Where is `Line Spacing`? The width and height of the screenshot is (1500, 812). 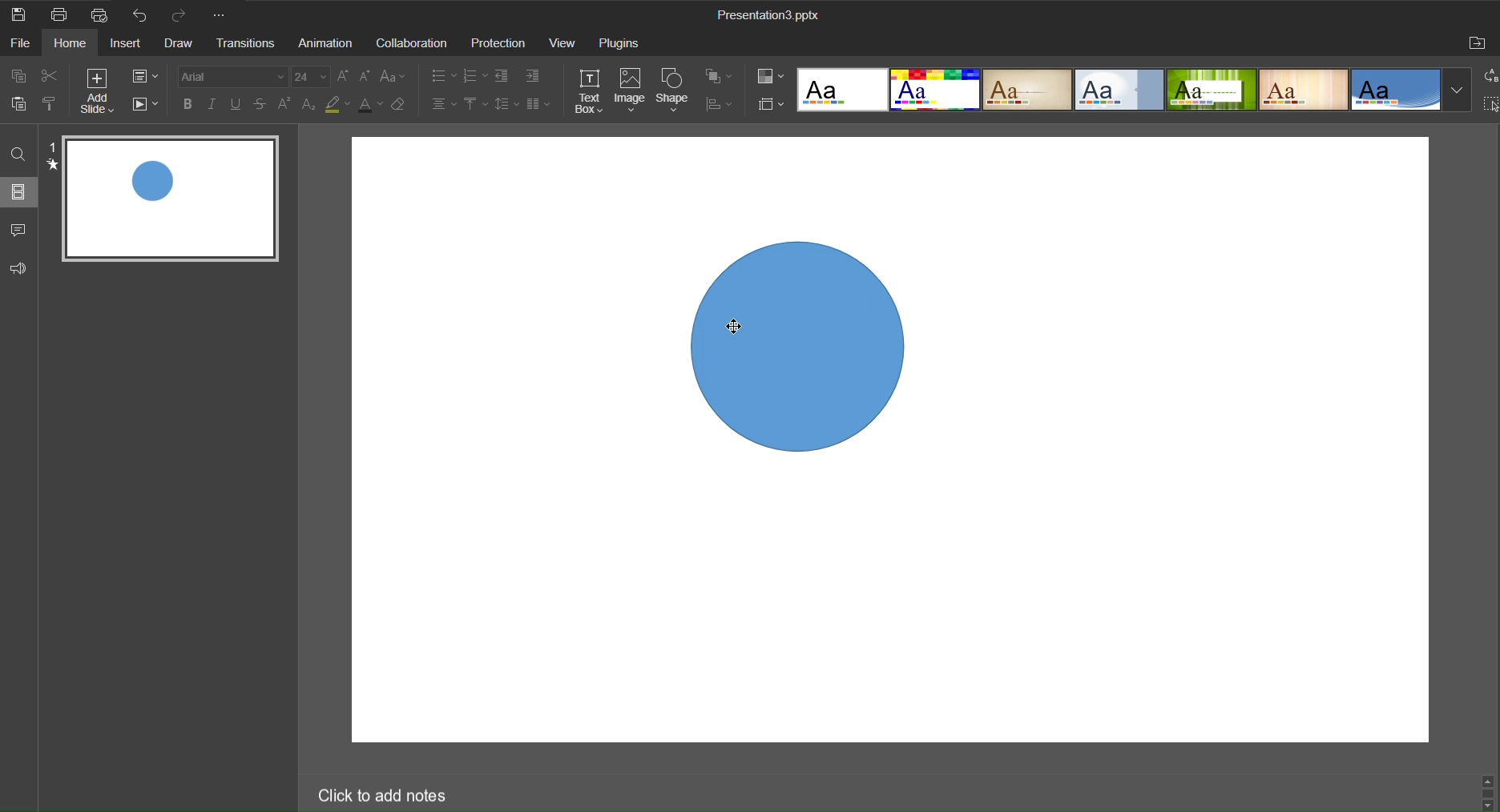 Line Spacing is located at coordinates (507, 107).